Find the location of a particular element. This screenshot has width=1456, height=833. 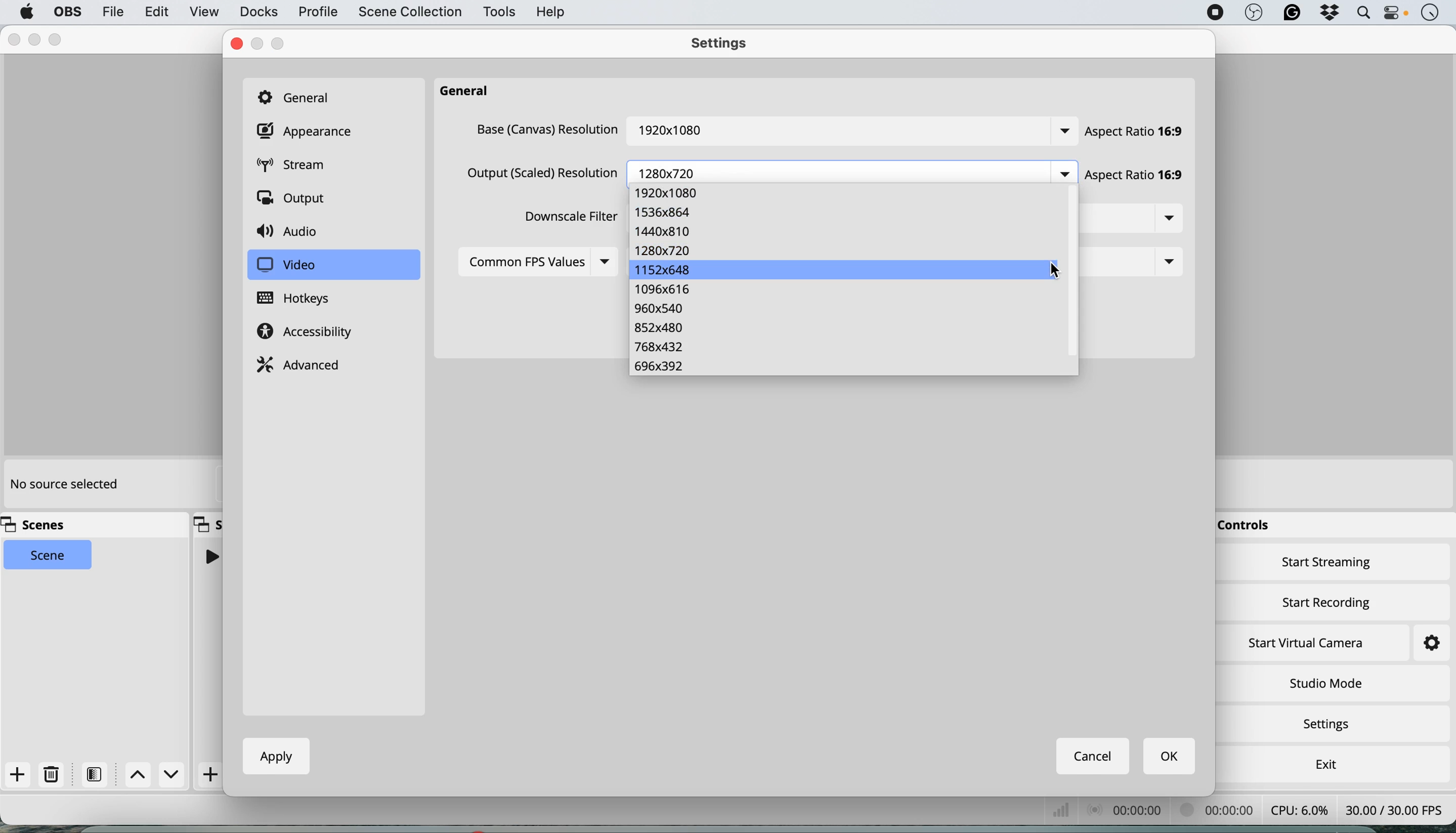

768x432 is located at coordinates (659, 348).